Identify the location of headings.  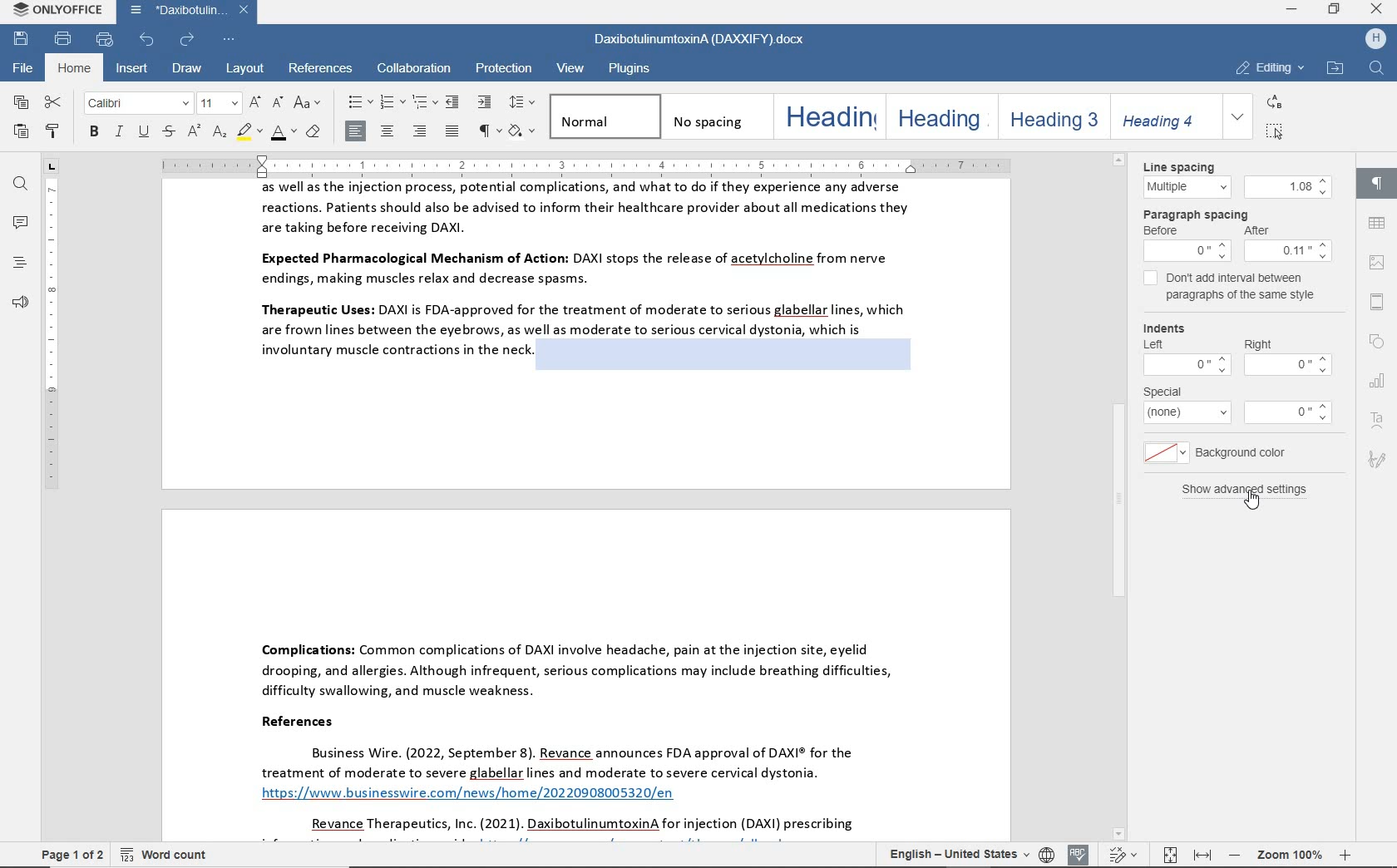
(17, 264).